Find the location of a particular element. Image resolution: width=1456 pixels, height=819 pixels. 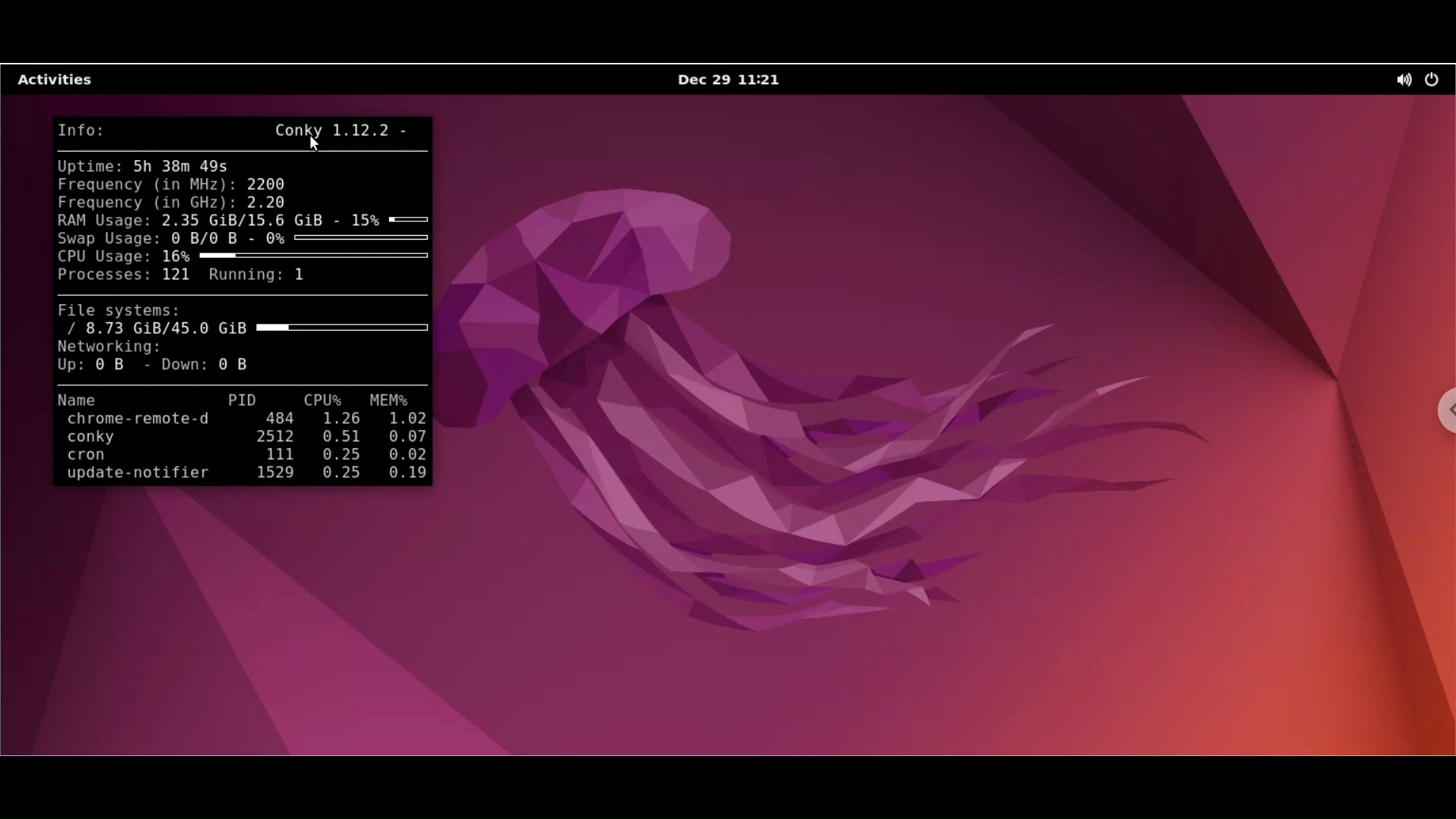

CPU% is located at coordinates (325, 401).